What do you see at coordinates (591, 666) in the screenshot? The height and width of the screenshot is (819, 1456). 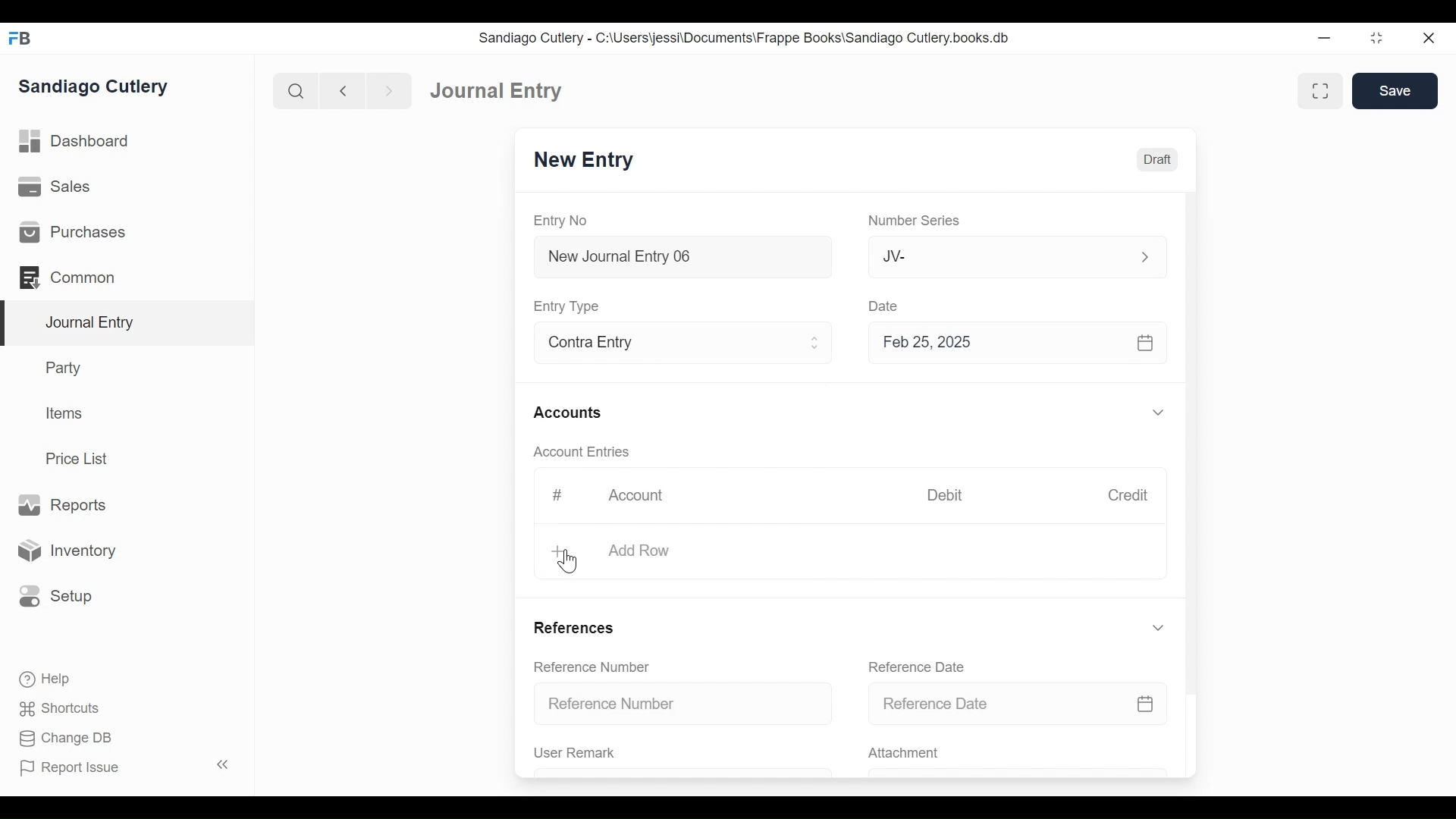 I see `Reference Number` at bounding box center [591, 666].